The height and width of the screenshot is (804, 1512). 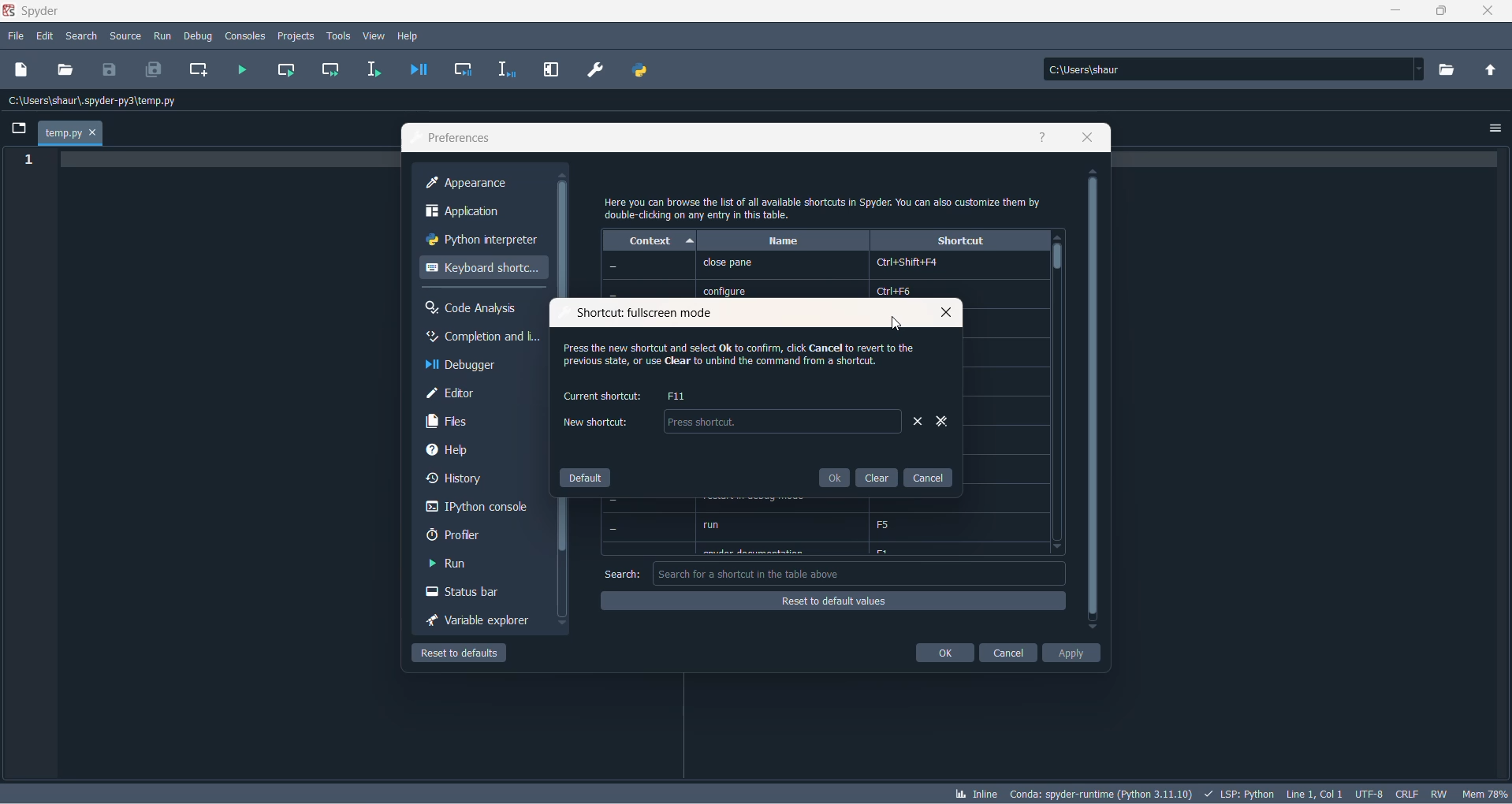 What do you see at coordinates (642, 315) in the screenshot?
I see `shortcut fullscreen mode` at bounding box center [642, 315].